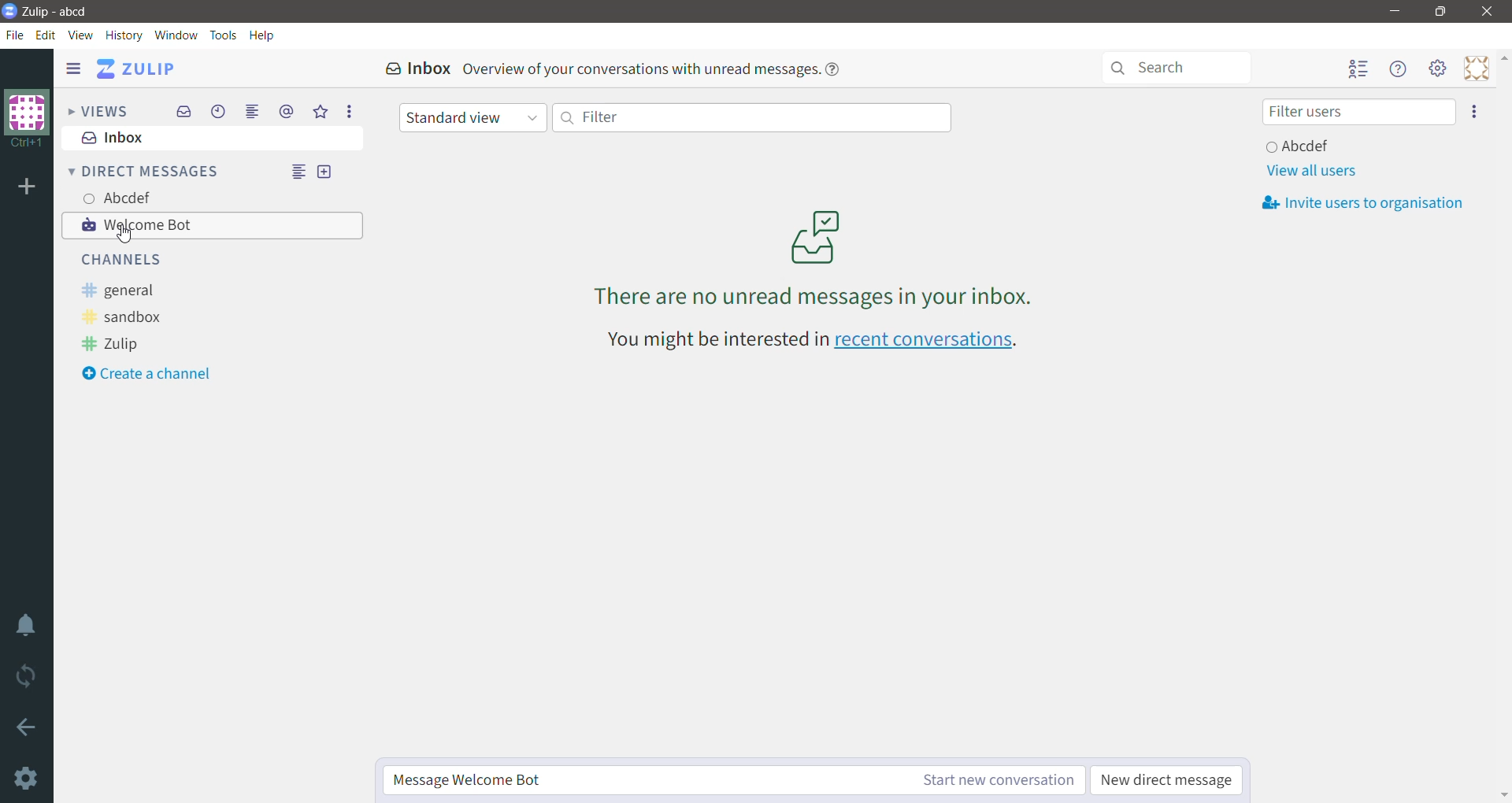 The height and width of the screenshot is (803, 1512). Describe the element at coordinates (115, 260) in the screenshot. I see `Channels` at that location.